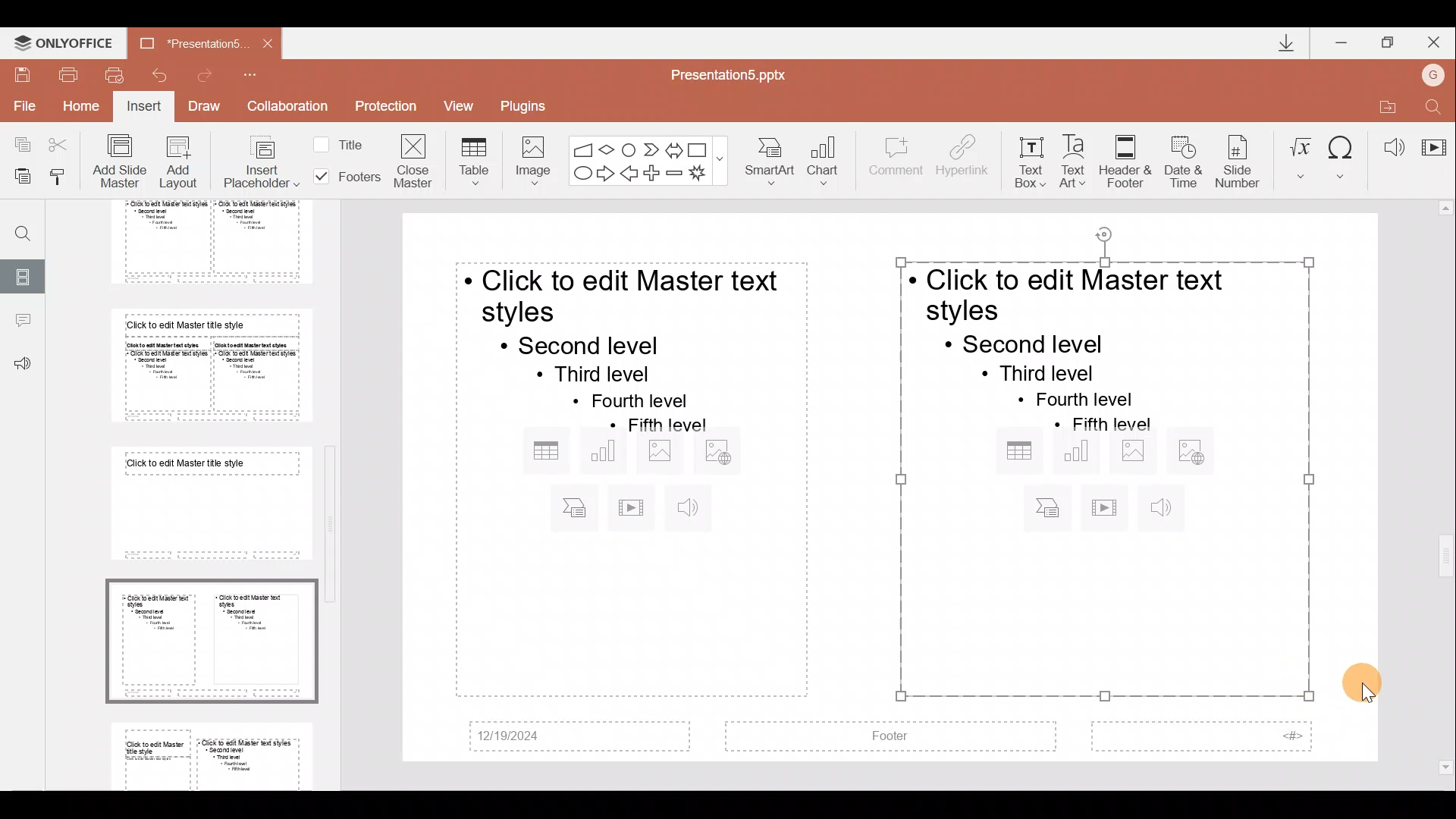 This screenshot has height=819, width=1456. I want to click on Symbol, so click(1343, 155).